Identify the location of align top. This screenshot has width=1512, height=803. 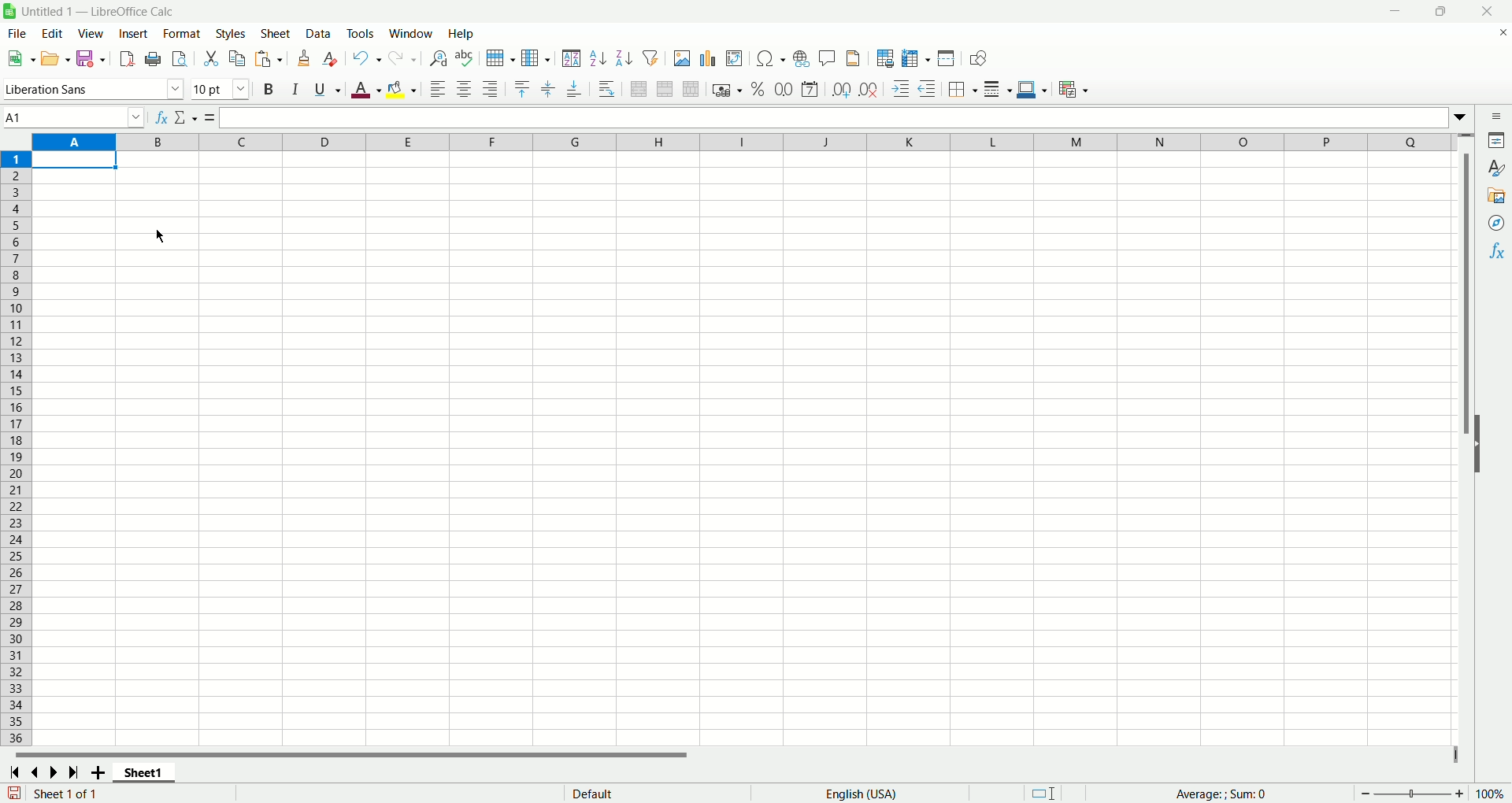
(523, 87).